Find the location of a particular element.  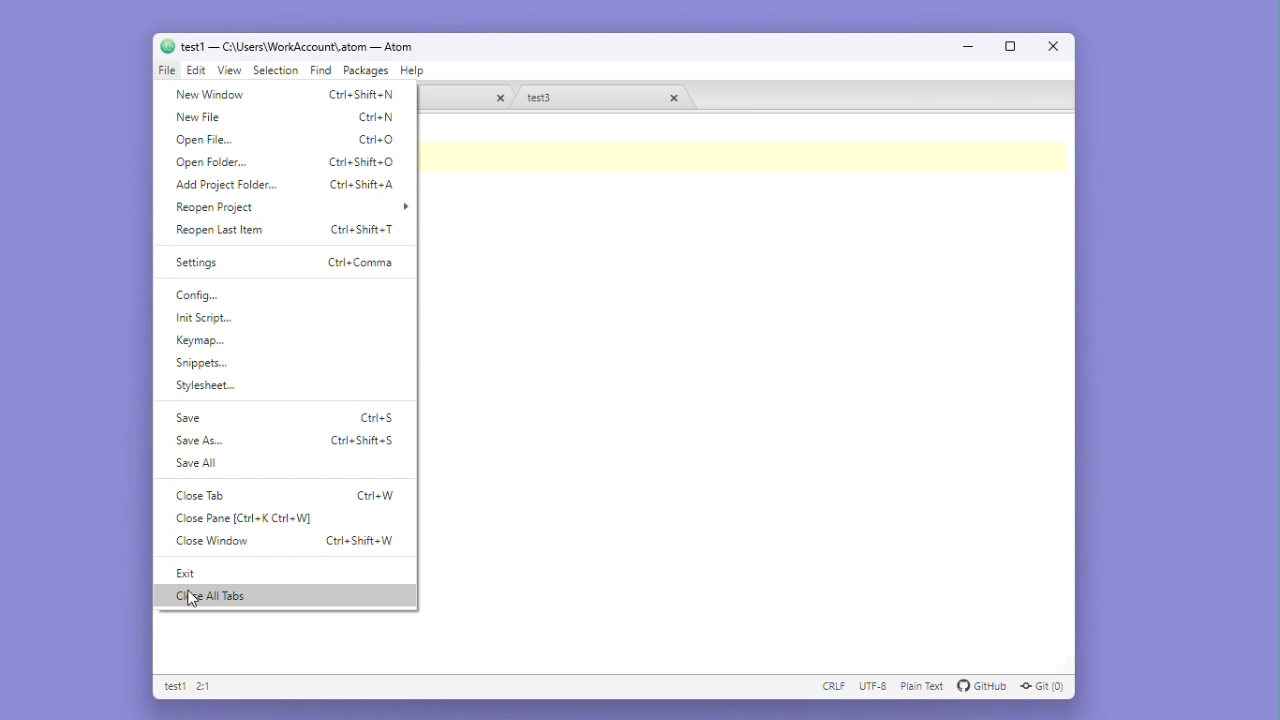

plain text is located at coordinates (926, 686).